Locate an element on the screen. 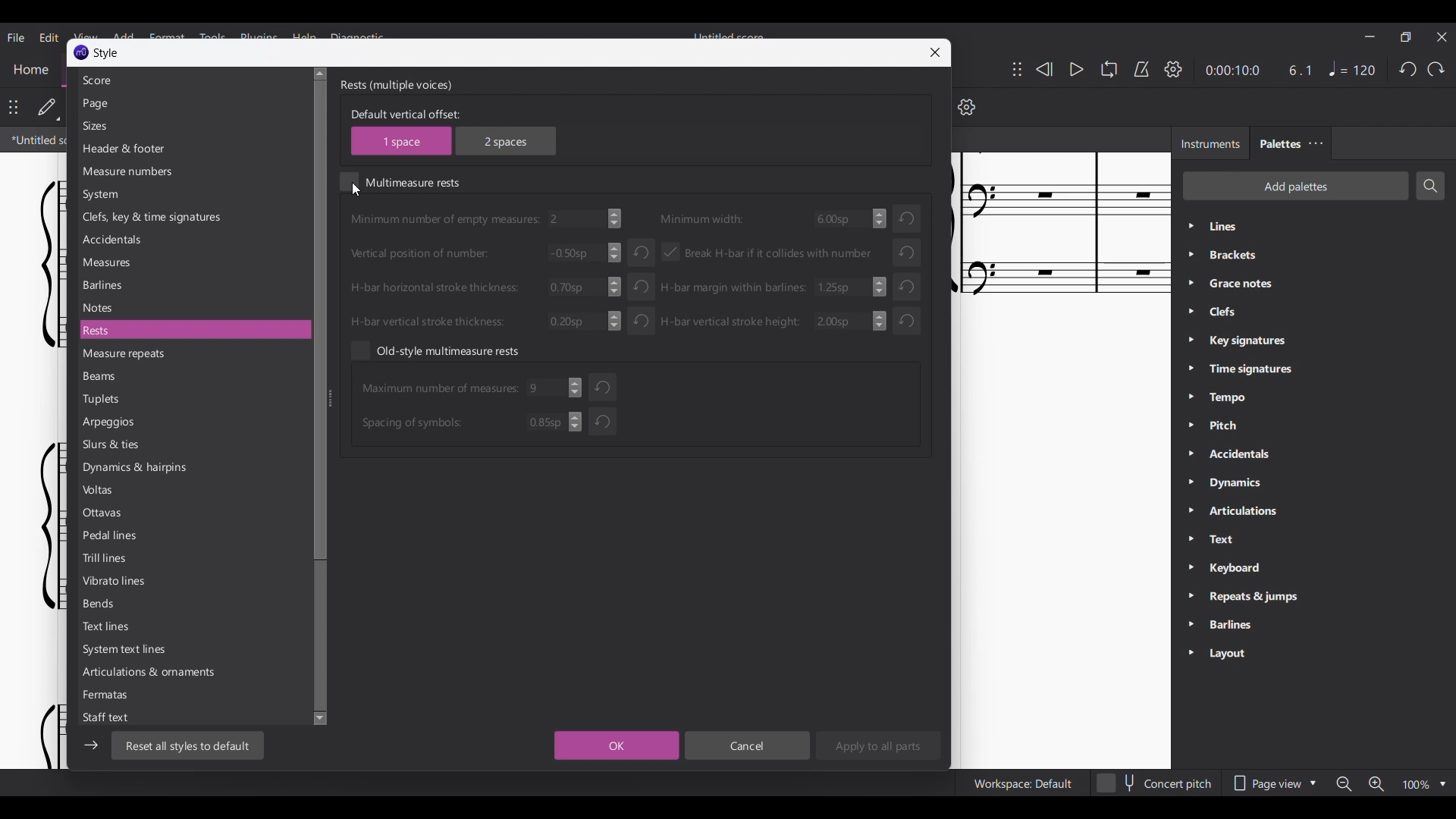  Home section is located at coordinates (30, 70).